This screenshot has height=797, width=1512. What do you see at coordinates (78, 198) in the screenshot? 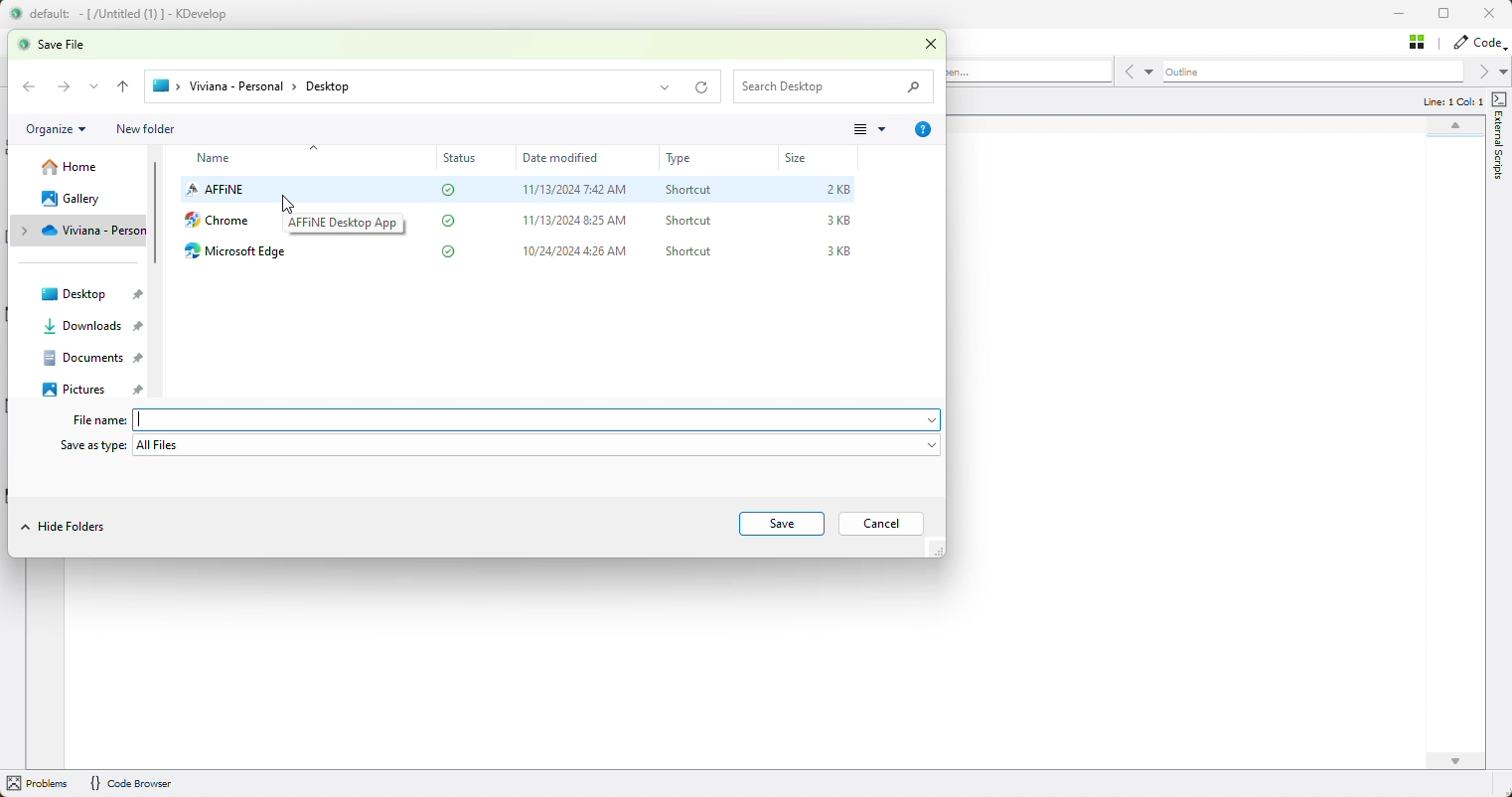
I see `gallery` at bounding box center [78, 198].